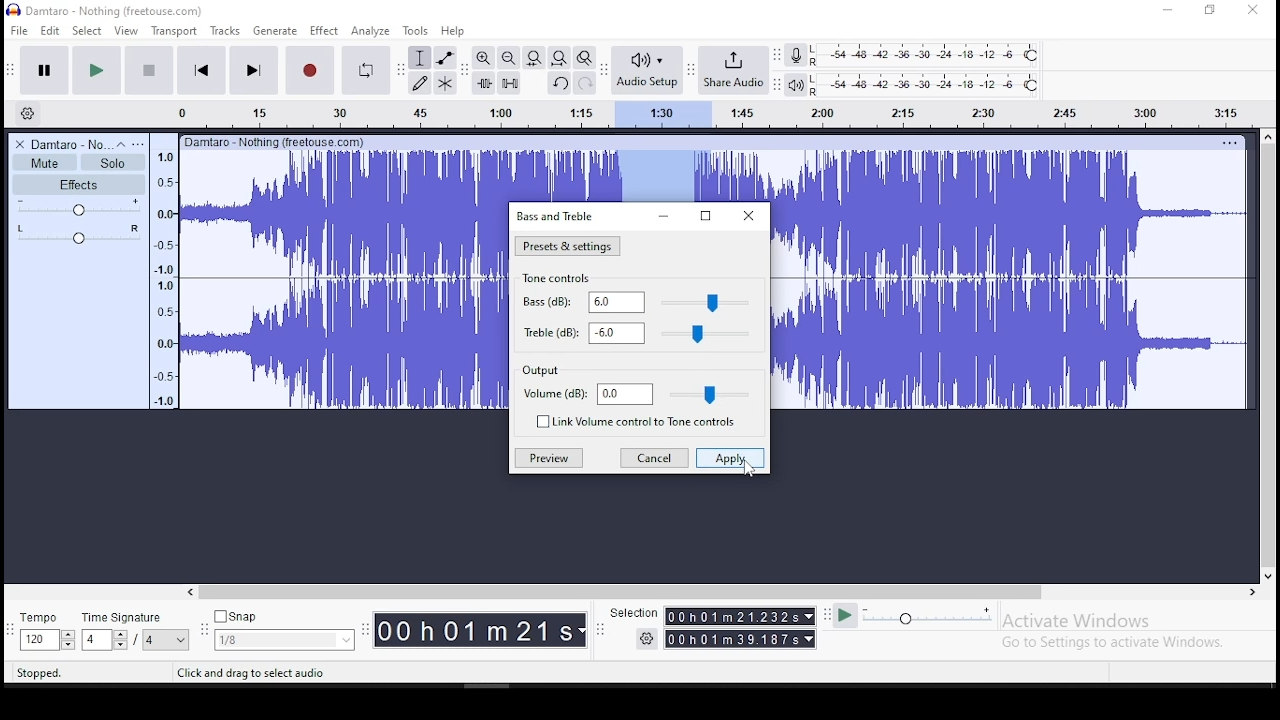 The width and height of the screenshot is (1280, 720). I want to click on zoom toggle, so click(583, 59).